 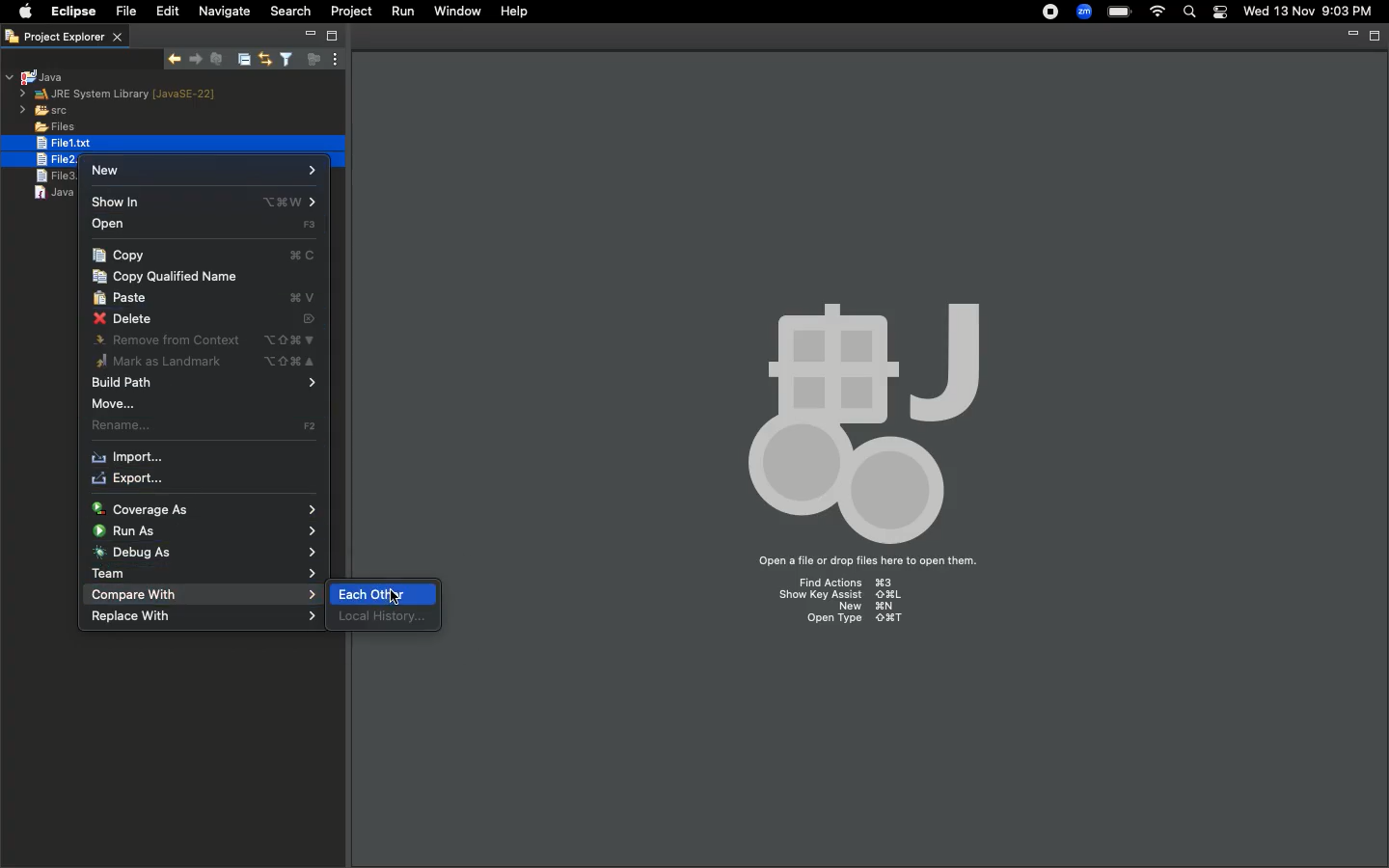 What do you see at coordinates (311, 60) in the screenshot?
I see `Focus on active task` at bounding box center [311, 60].